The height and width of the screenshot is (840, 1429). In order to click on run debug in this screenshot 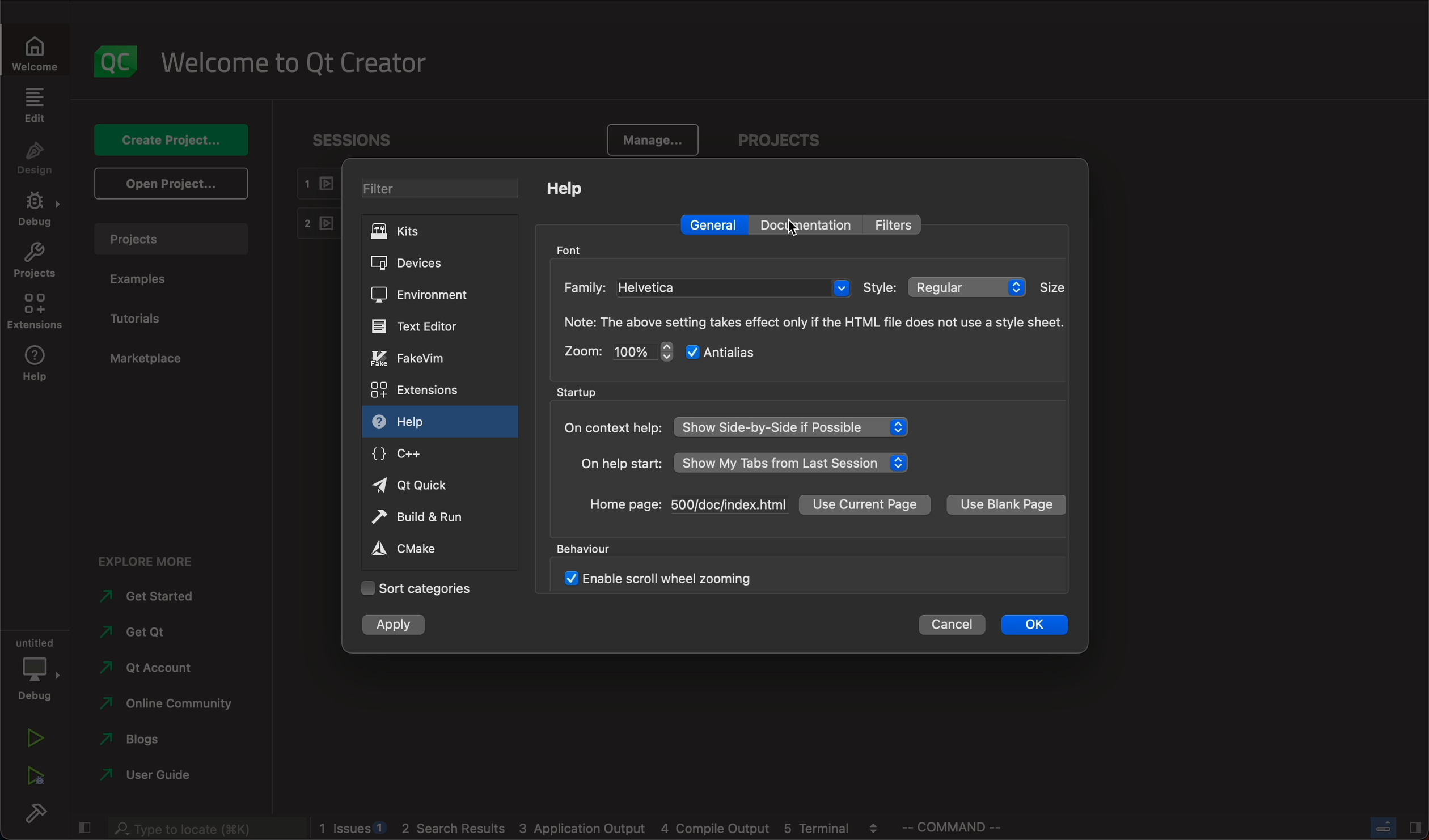, I will do `click(34, 776)`.